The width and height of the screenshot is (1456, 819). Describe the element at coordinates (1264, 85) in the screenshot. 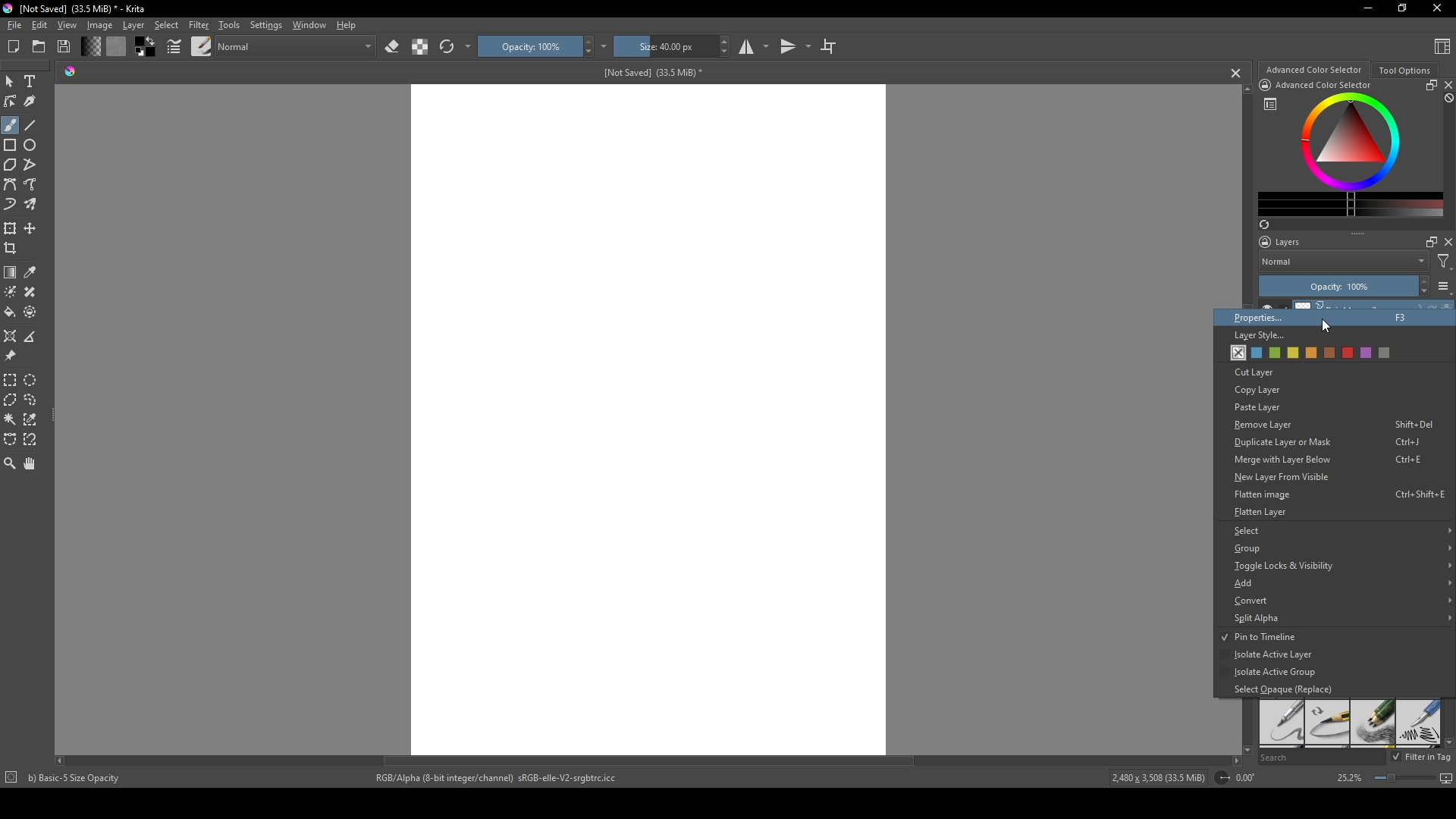

I see `icon` at that location.